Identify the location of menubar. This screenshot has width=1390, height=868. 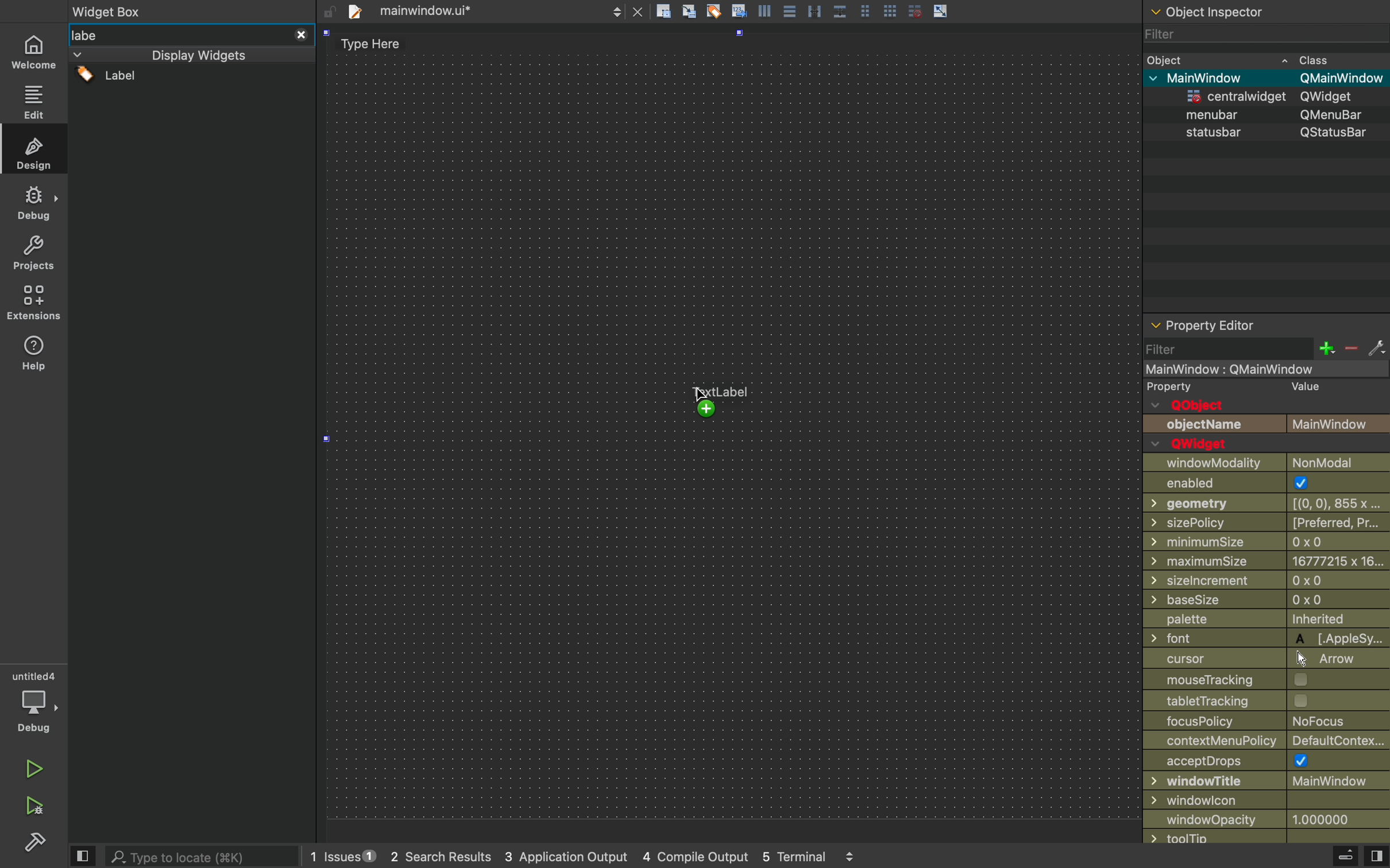
(1276, 115).